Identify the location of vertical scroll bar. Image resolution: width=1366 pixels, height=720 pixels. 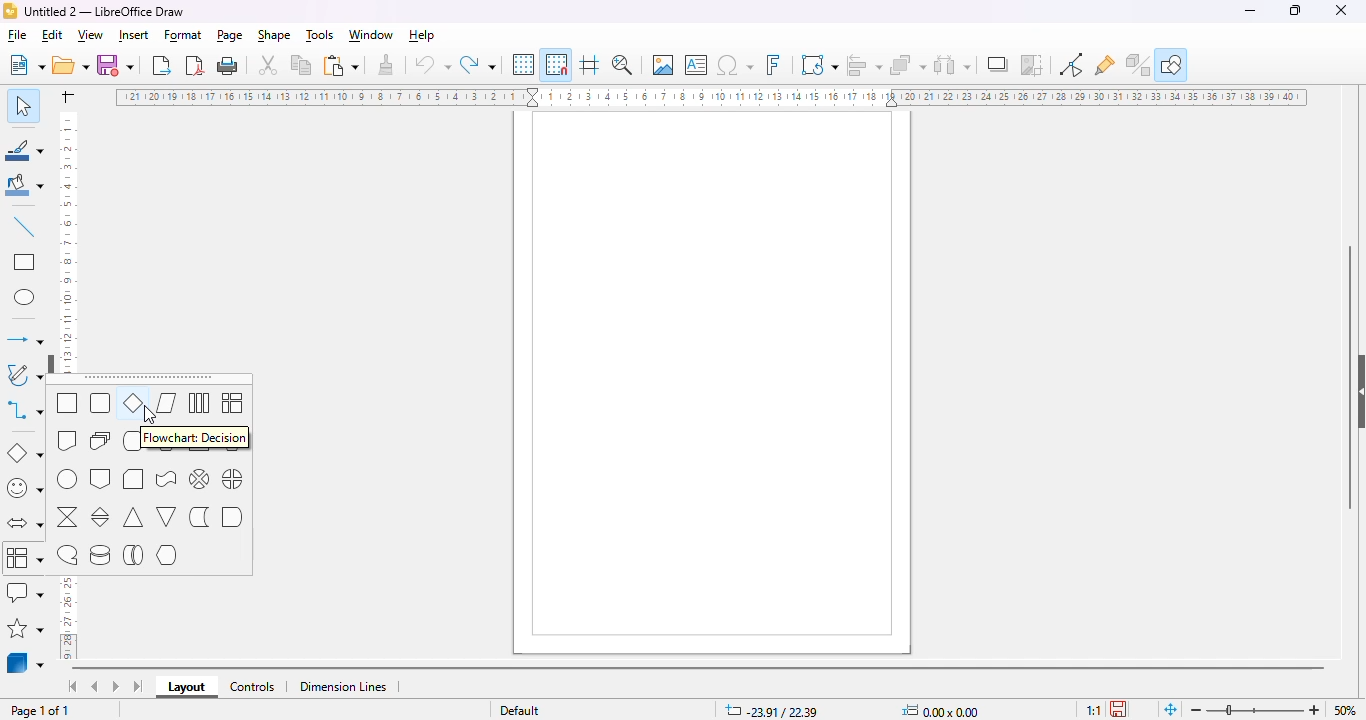
(1347, 378).